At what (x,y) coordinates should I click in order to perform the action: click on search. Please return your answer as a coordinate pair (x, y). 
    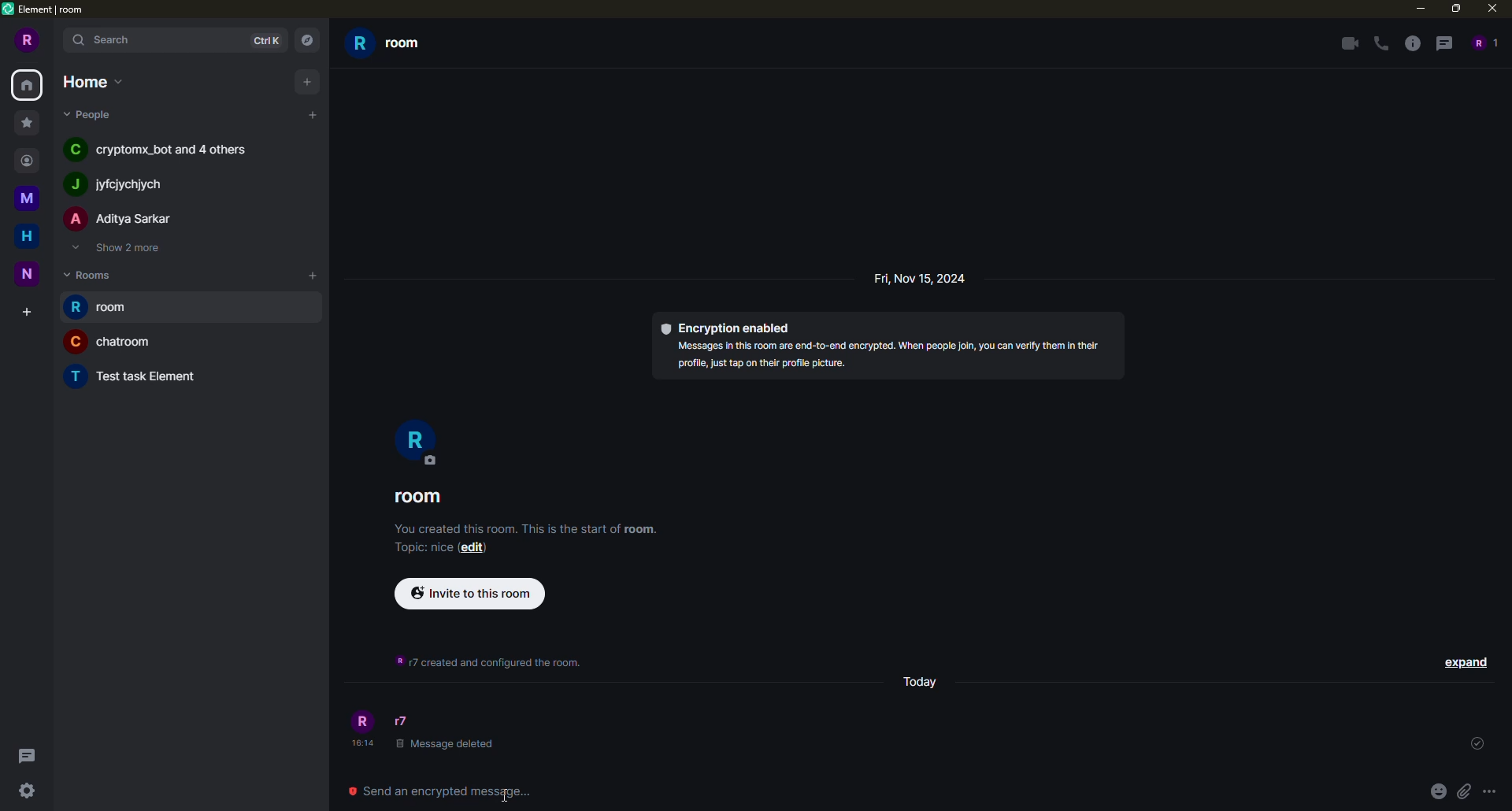
    Looking at the image, I should click on (107, 40).